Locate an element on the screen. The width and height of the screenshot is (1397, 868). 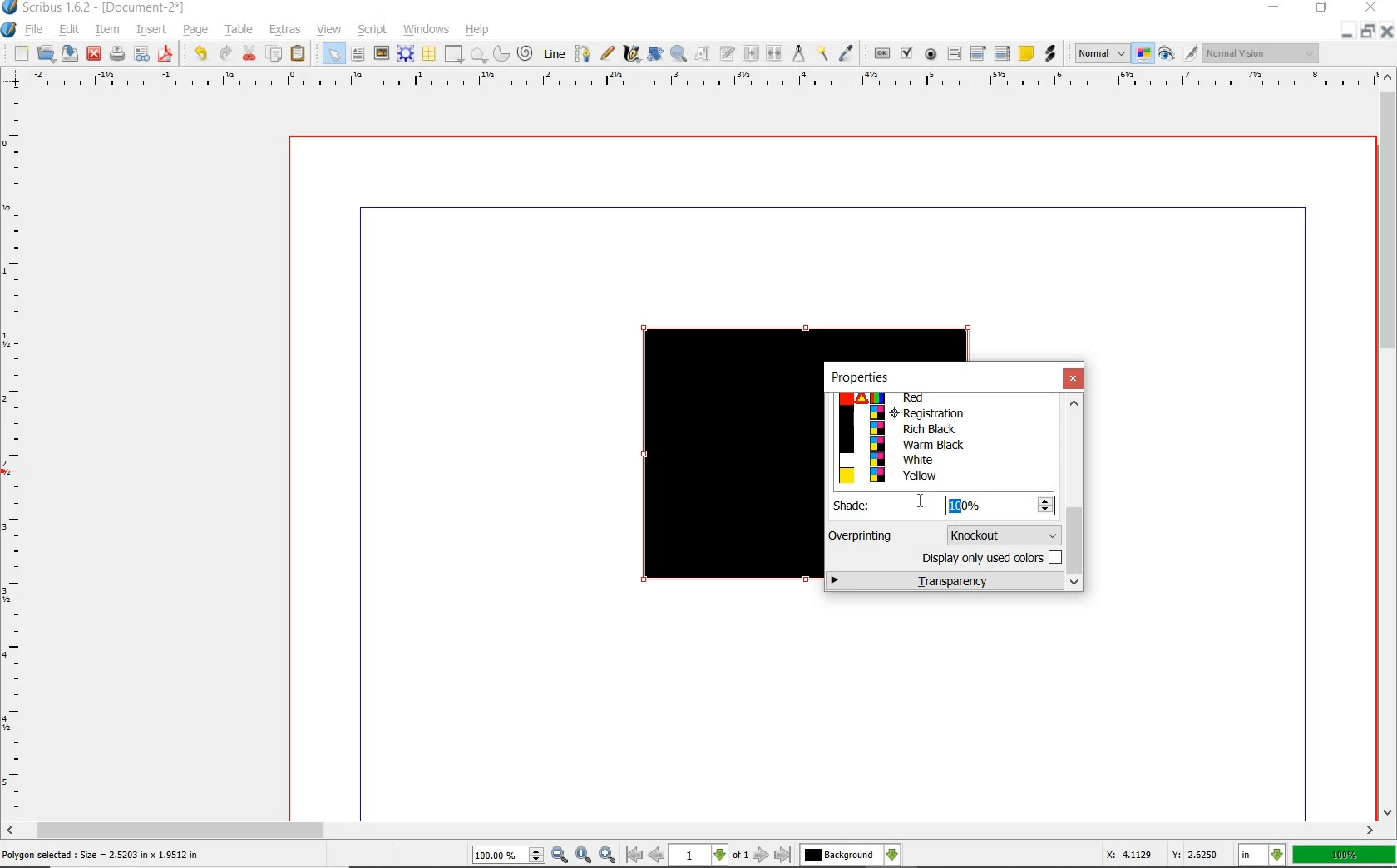
view is located at coordinates (329, 29).